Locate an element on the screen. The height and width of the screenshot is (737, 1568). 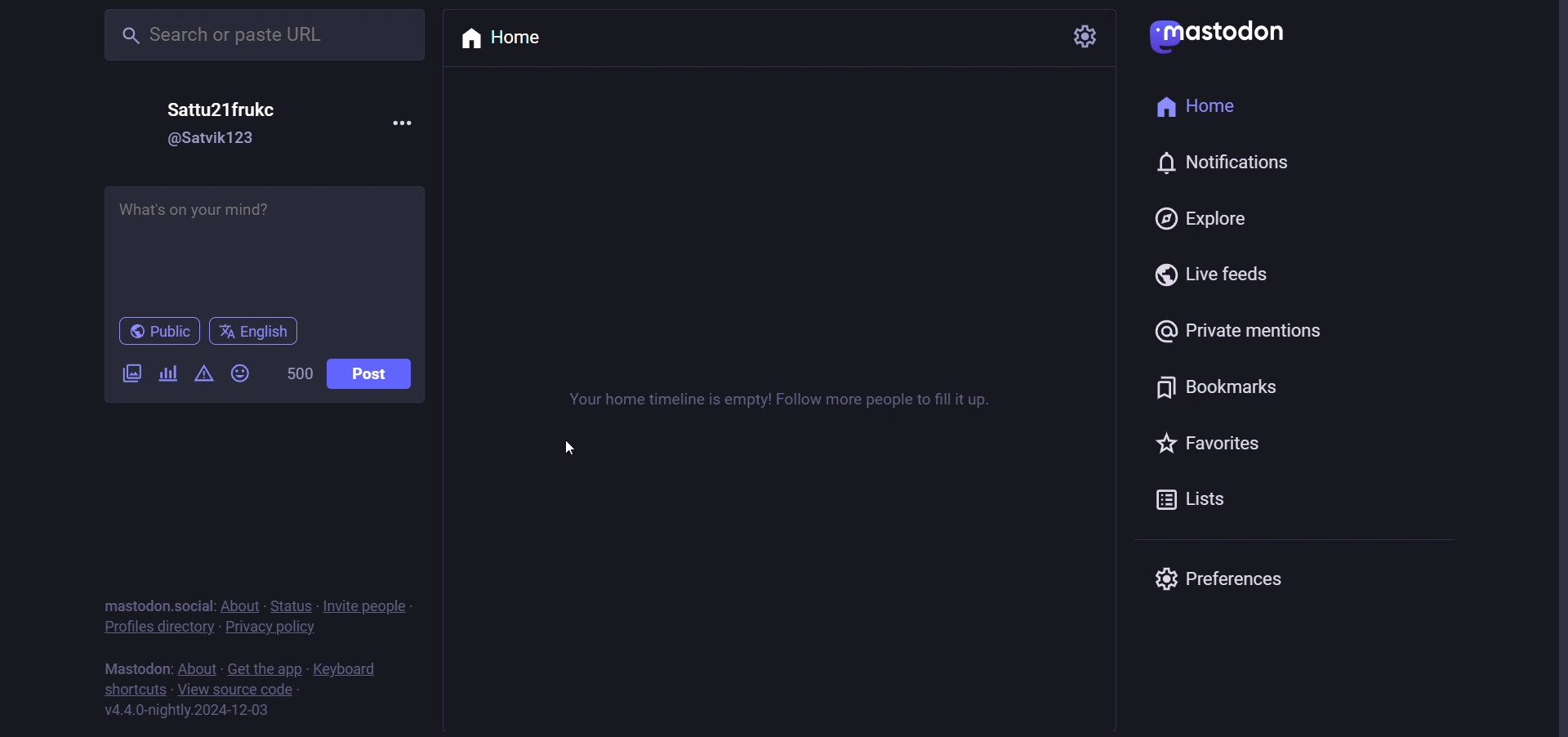
mastodon social is located at coordinates (152, 603).